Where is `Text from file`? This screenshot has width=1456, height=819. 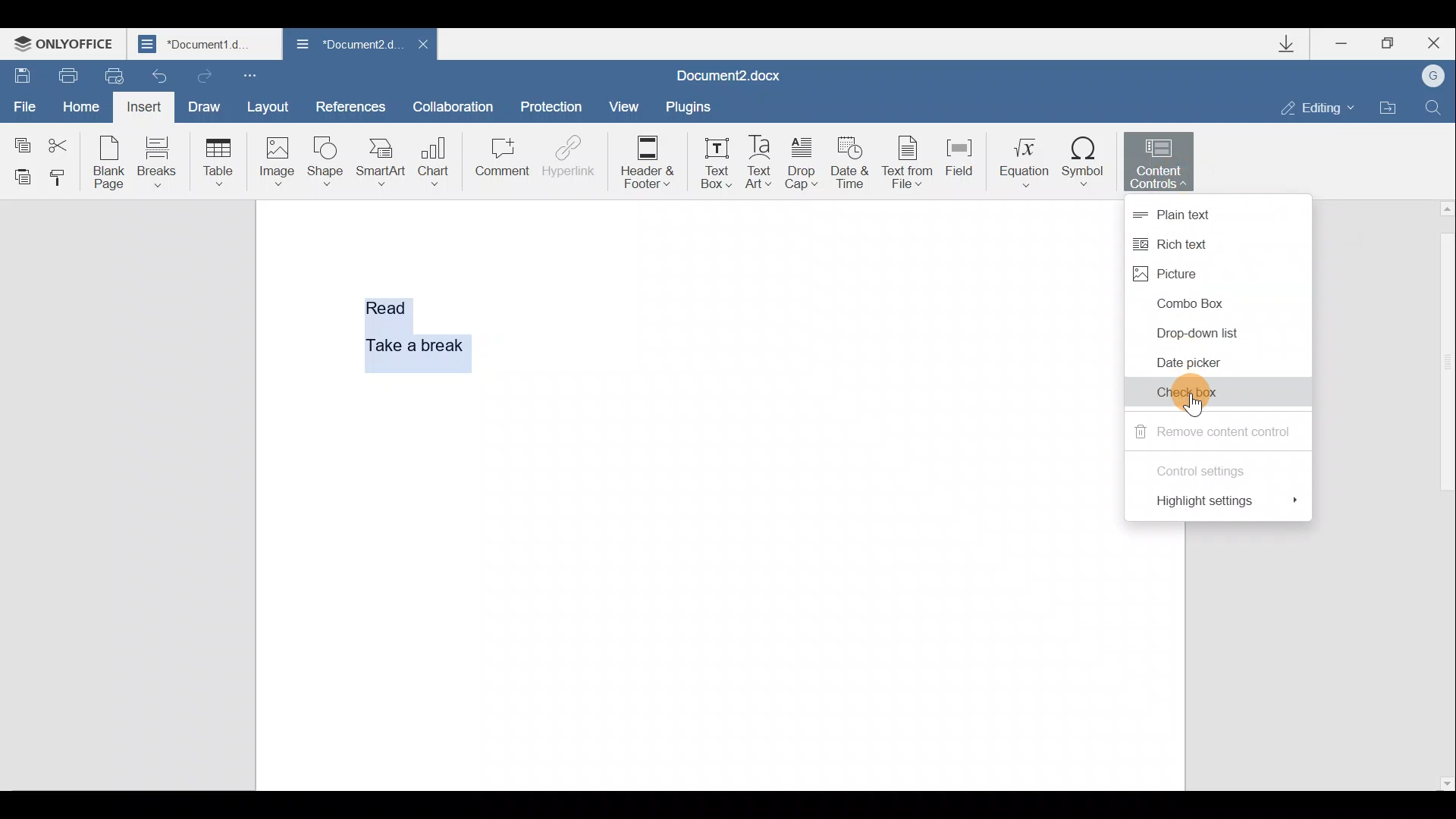
Text from file is located at coordinates (909, 165).